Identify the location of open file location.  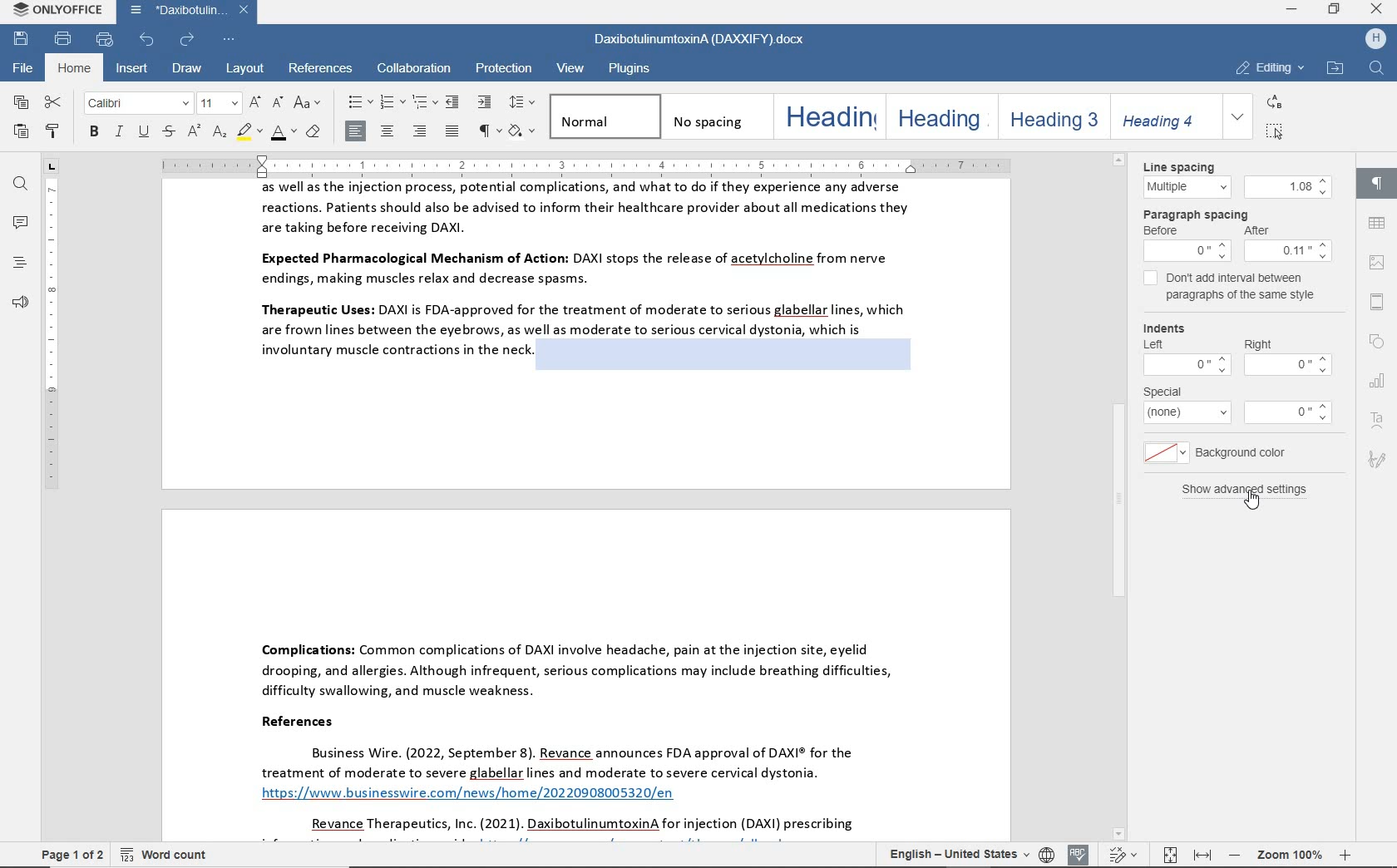
(1335, 69).